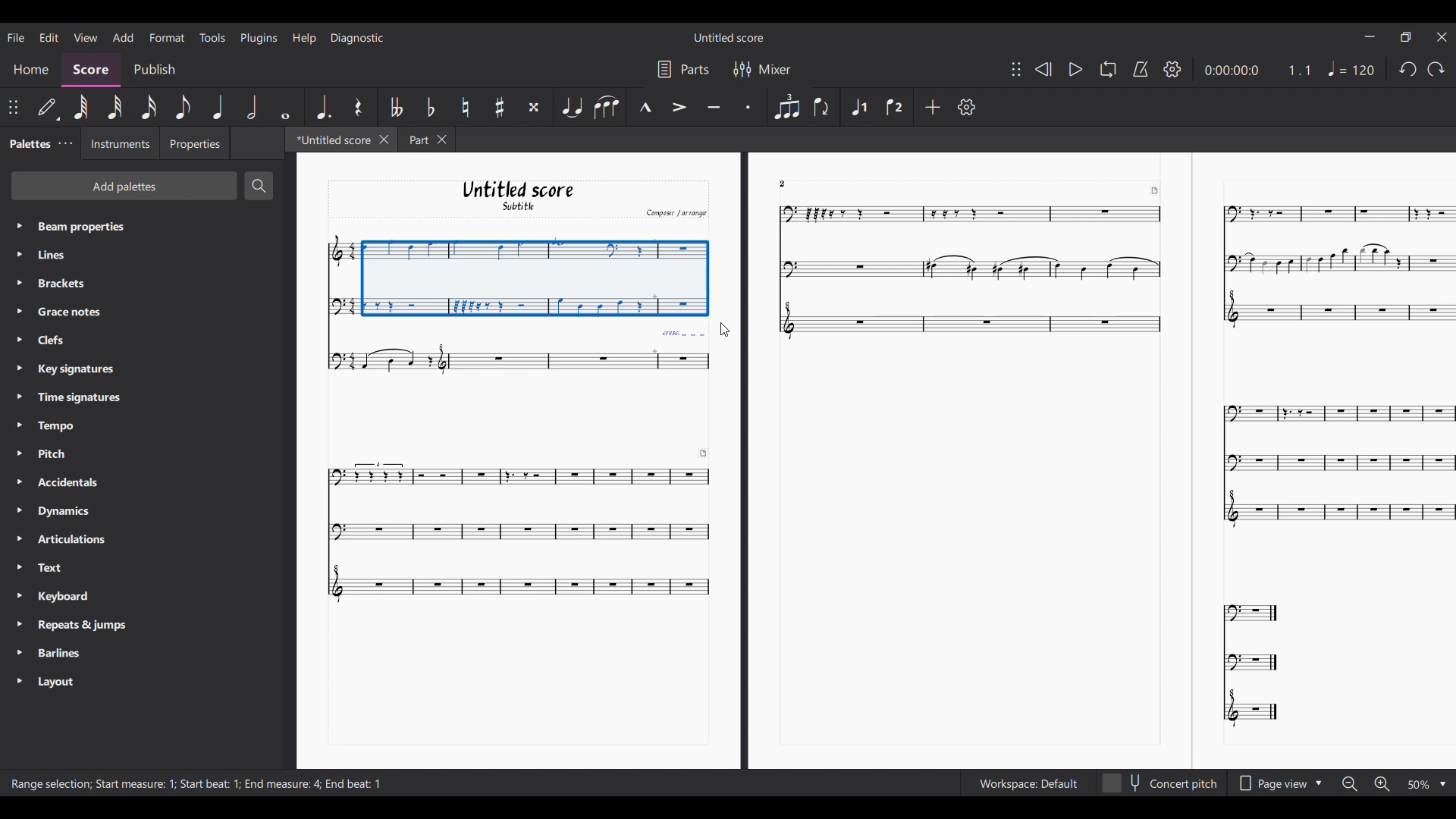 The image size is (1456, 819). I want to click on , so click(1338, 416).